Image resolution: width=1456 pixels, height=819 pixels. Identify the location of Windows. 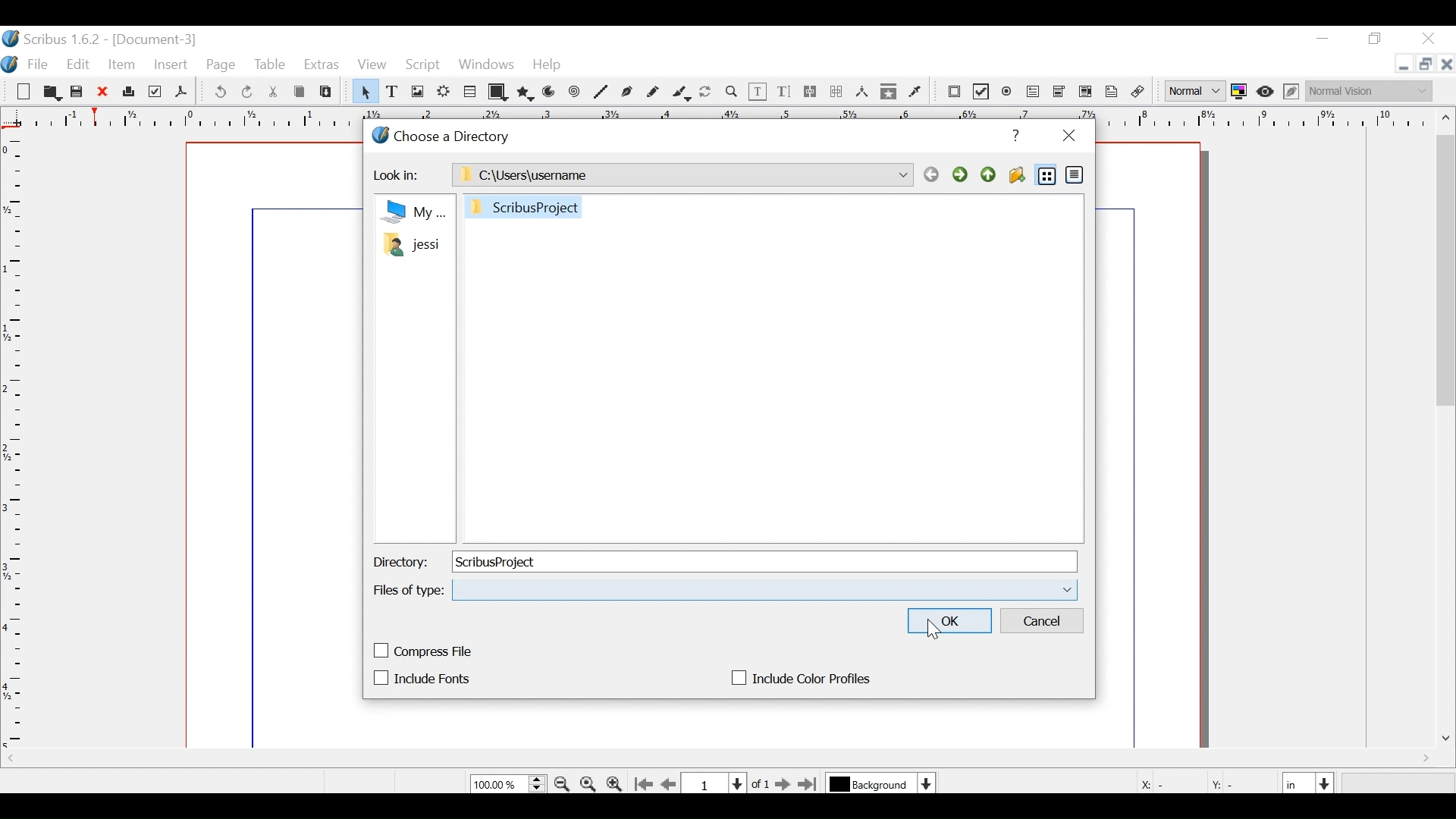
(485, 67).